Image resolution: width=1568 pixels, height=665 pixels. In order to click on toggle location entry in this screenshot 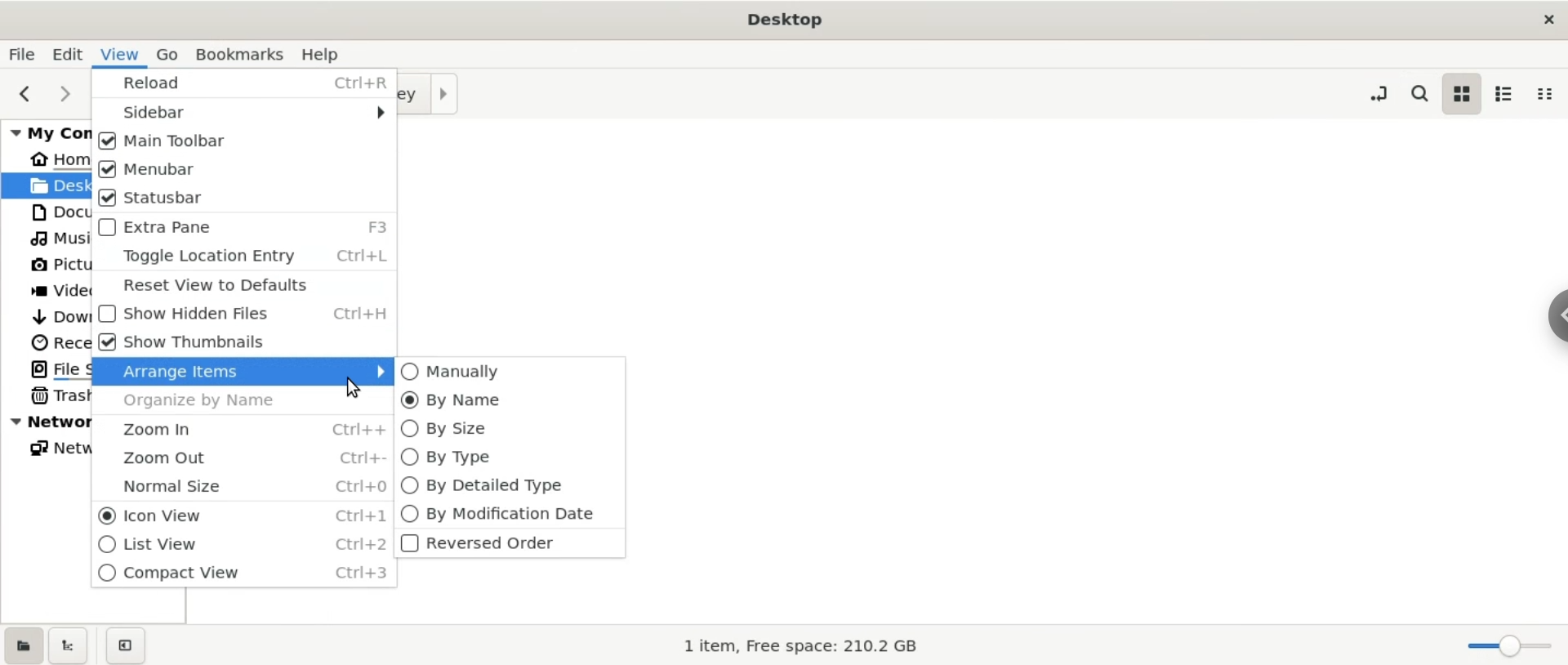, I will do `click(242, 257)`.